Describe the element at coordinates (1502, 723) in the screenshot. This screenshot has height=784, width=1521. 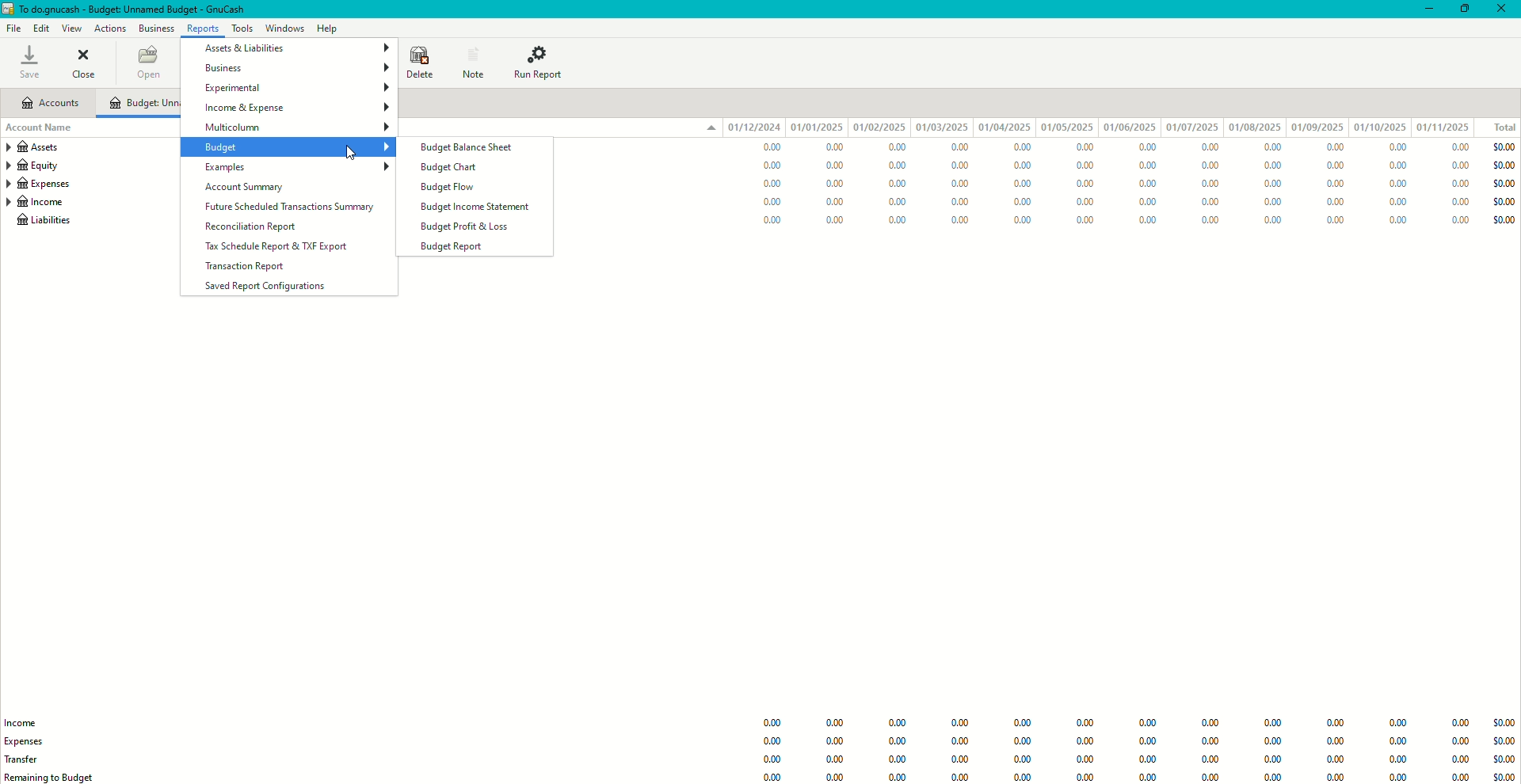
I see `$0.00` at that location.